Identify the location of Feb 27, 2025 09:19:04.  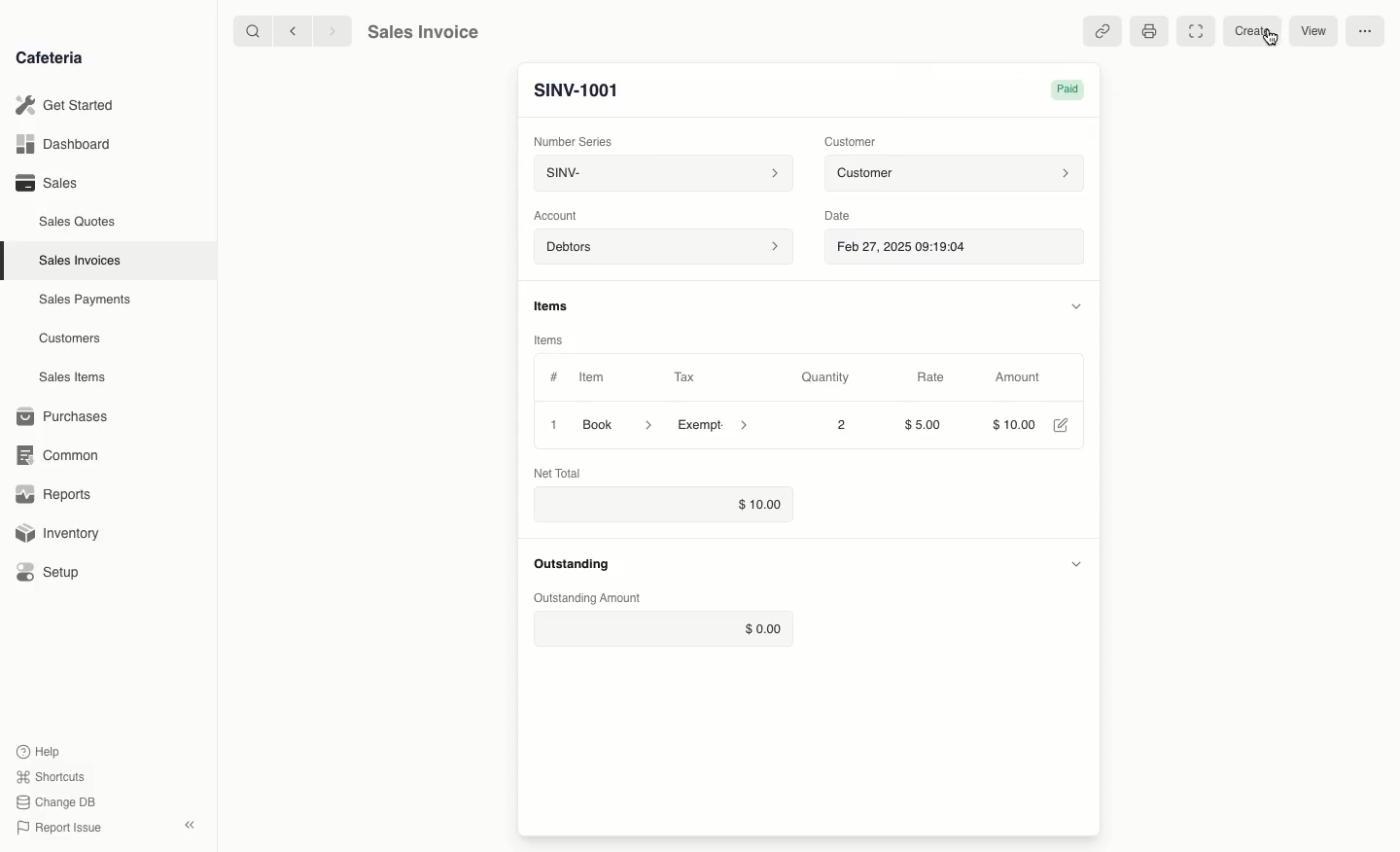
(956, 248).